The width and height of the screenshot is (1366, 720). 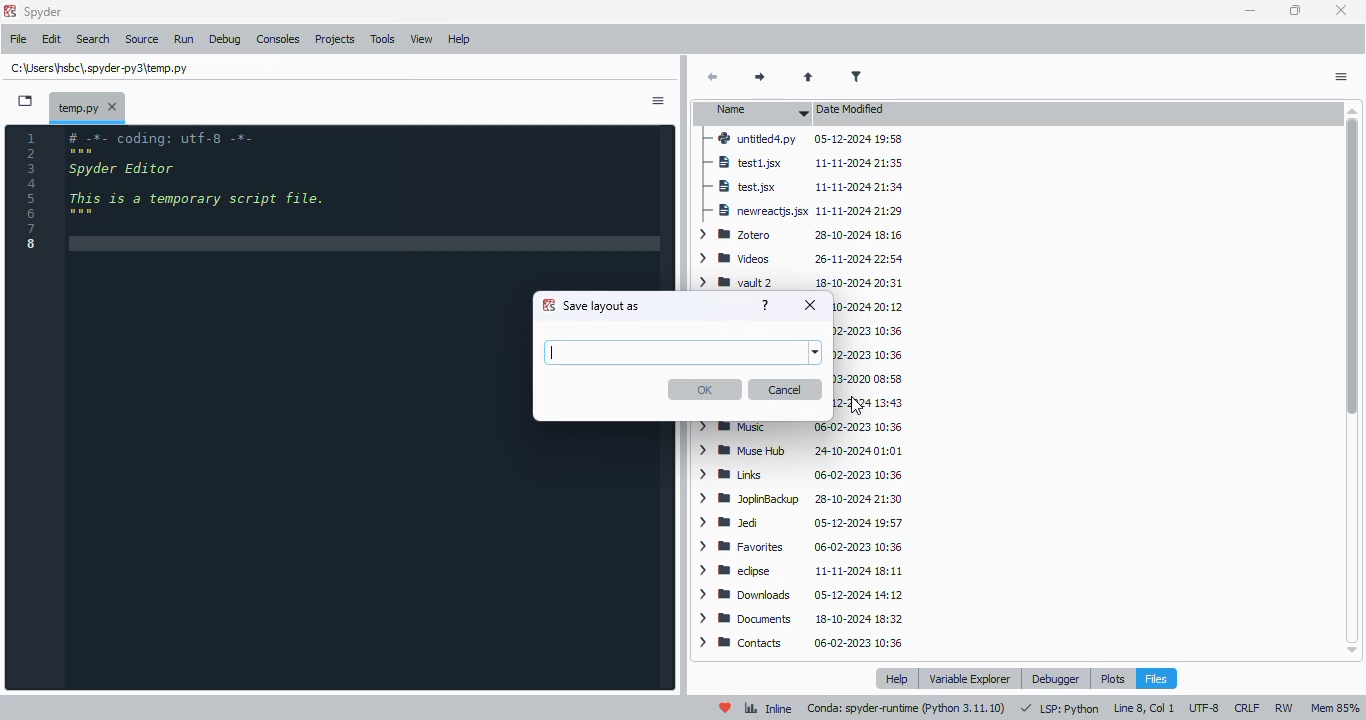 I want to click on Searches, so click(x=867, y=333).